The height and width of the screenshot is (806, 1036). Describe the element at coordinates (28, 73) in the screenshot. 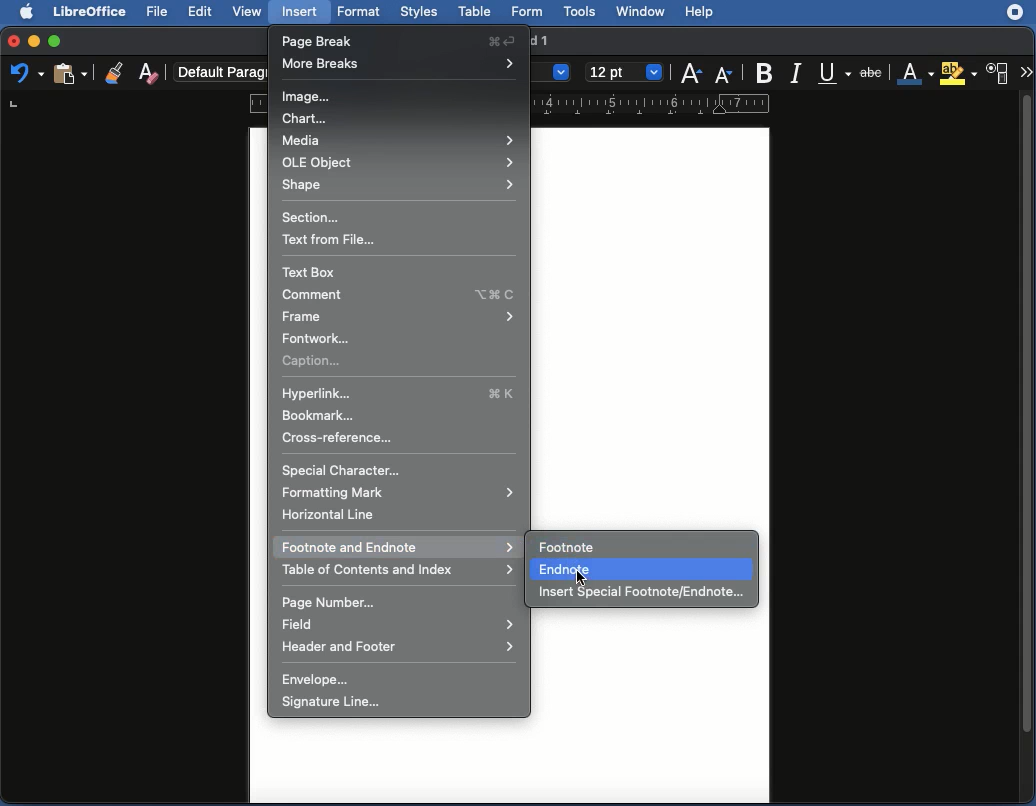

I see `Undo` at that location.